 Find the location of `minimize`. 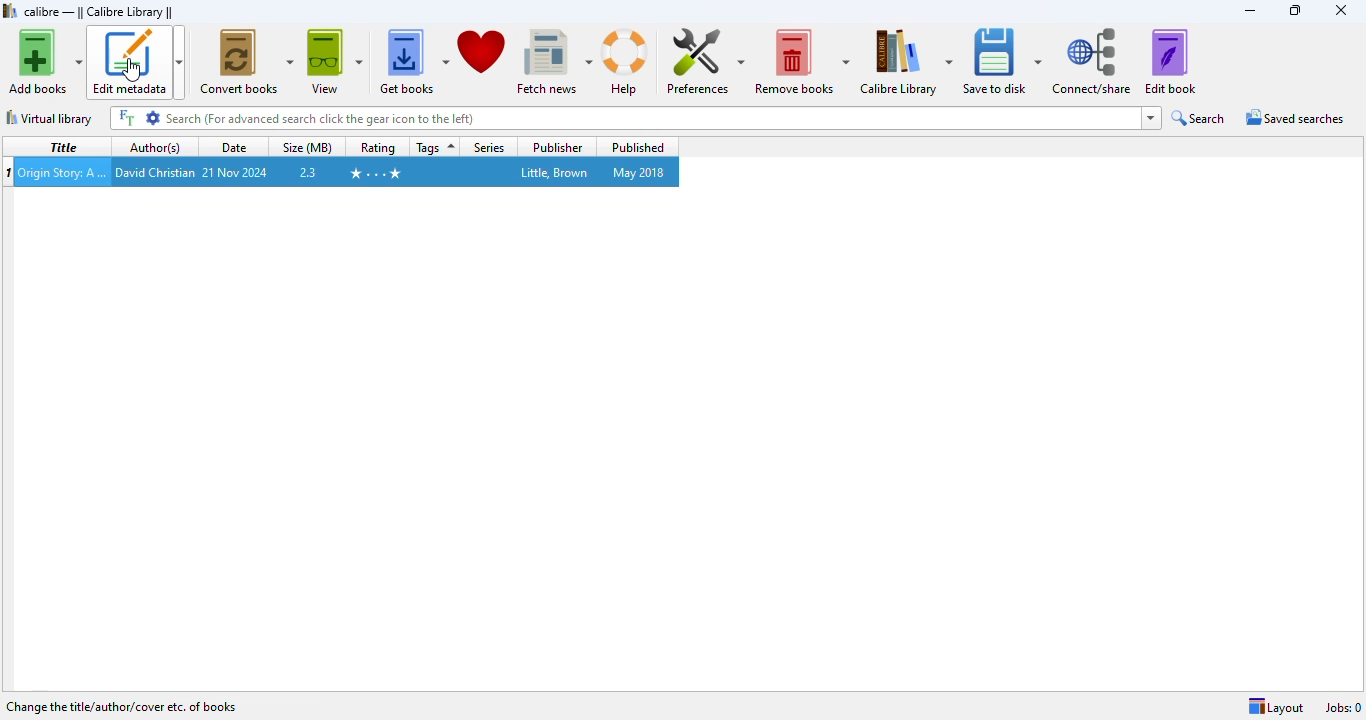

minimize is located at coordinates (1252, 11).